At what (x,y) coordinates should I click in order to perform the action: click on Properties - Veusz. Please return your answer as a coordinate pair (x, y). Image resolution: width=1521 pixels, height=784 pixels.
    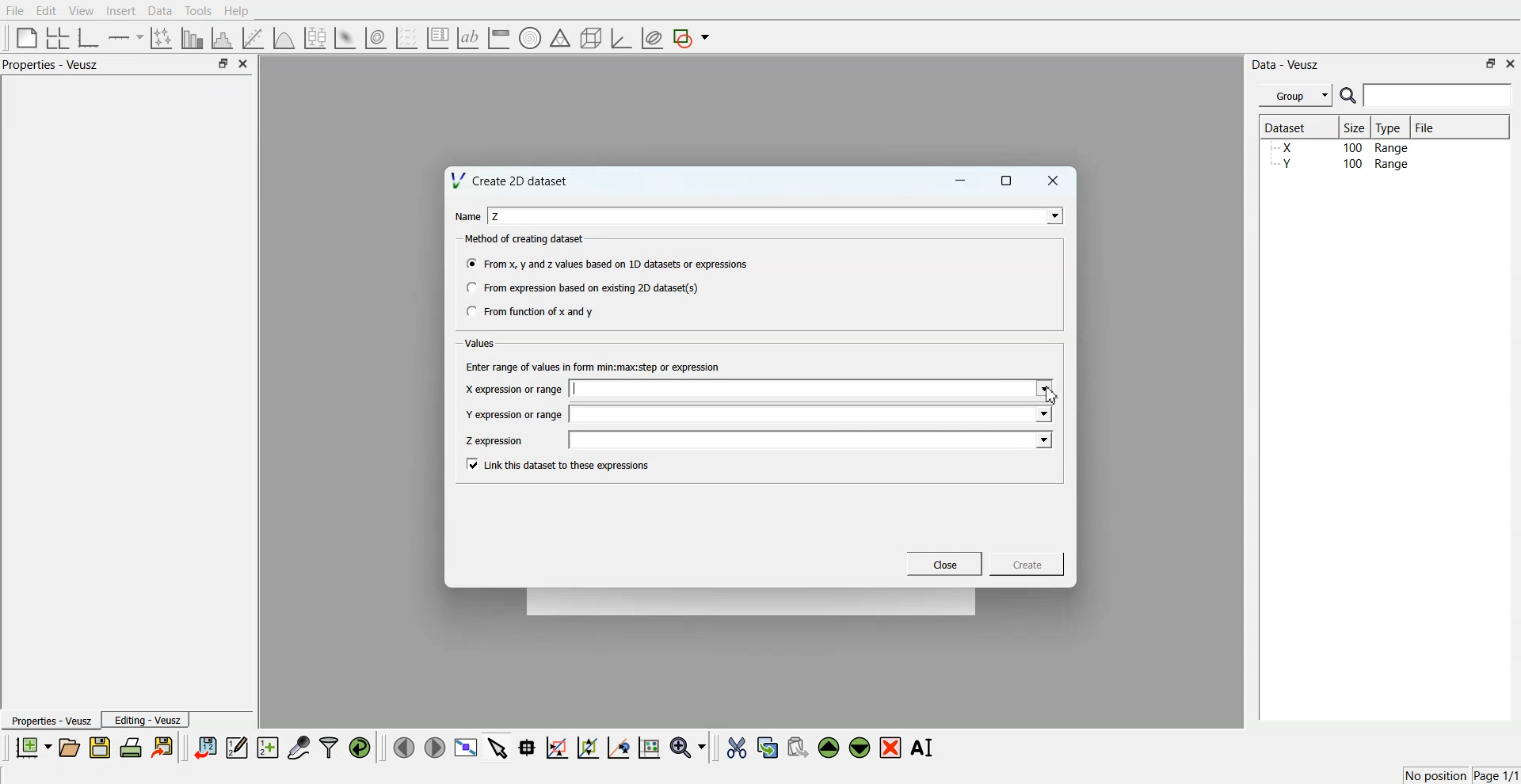
    Looking at the image, I should click on (51, 64).